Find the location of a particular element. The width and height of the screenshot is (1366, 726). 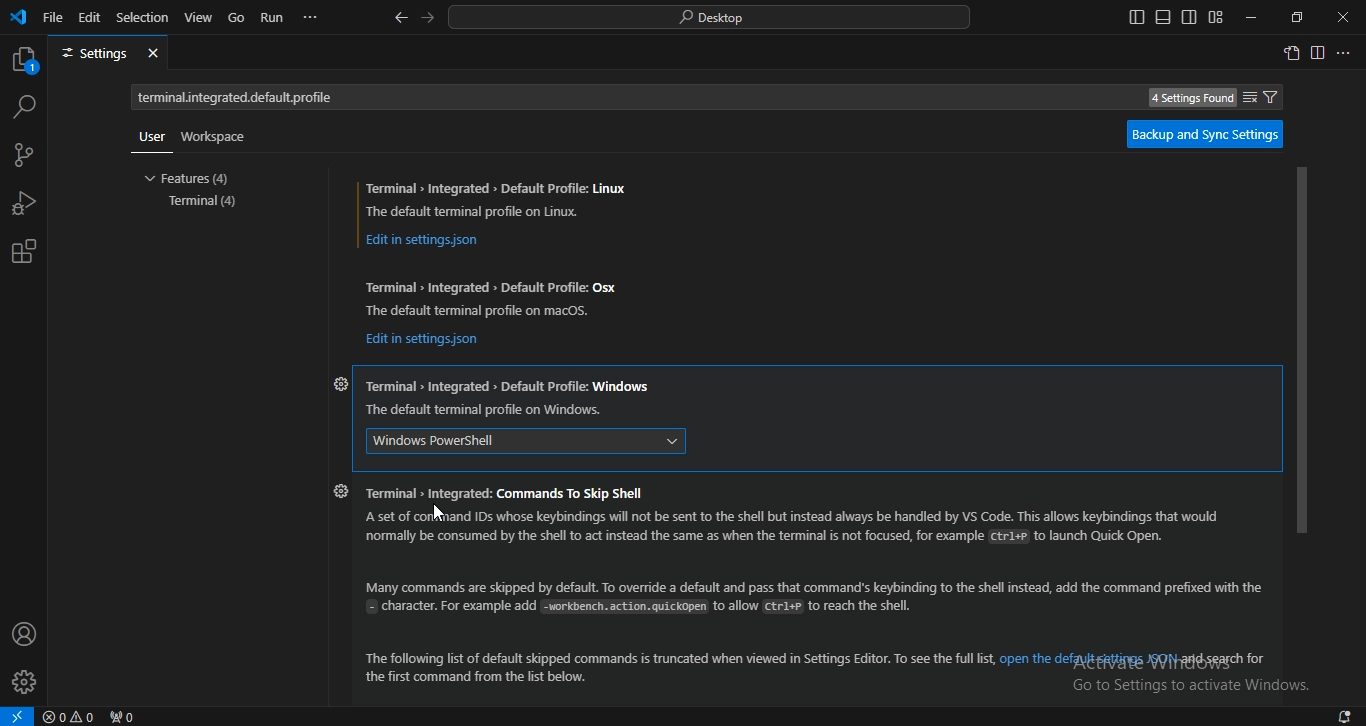

terminal.integrated.default.ptofile is located at coordinates (236, 97).